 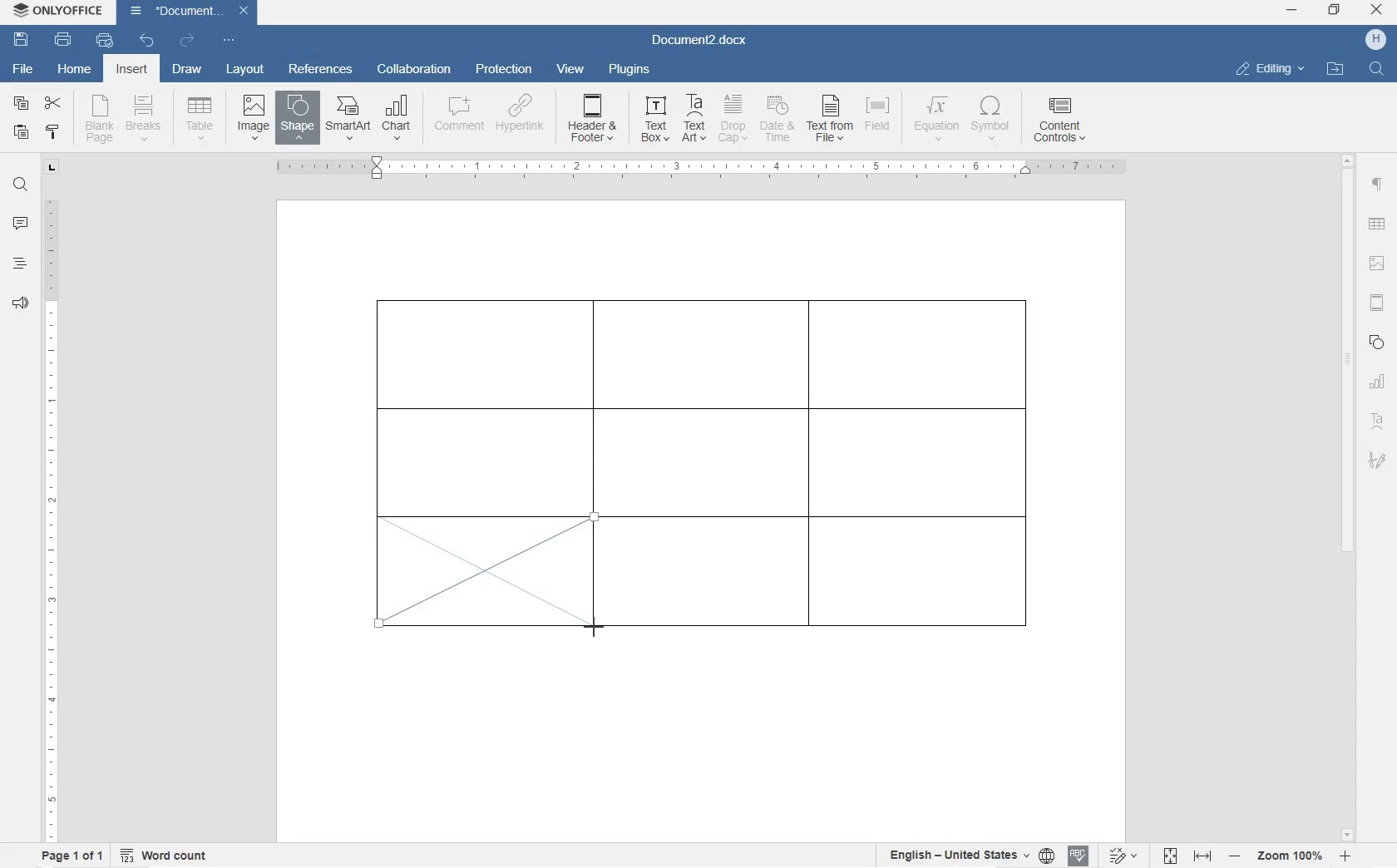 I want to click on COMMENT, so click(x=458, y=119).